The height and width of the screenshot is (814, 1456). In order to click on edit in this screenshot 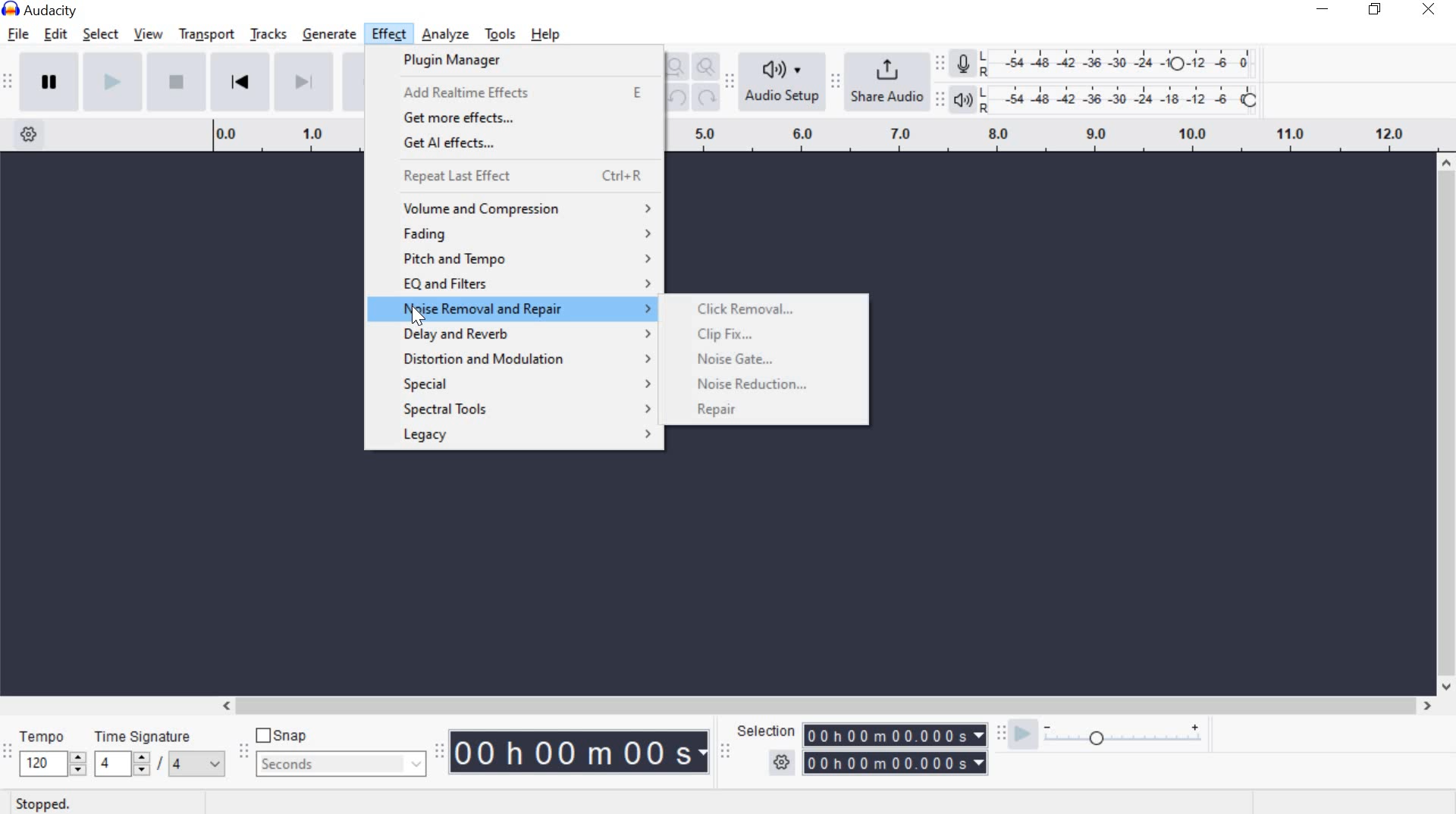, I will do `click(55, 33)`.